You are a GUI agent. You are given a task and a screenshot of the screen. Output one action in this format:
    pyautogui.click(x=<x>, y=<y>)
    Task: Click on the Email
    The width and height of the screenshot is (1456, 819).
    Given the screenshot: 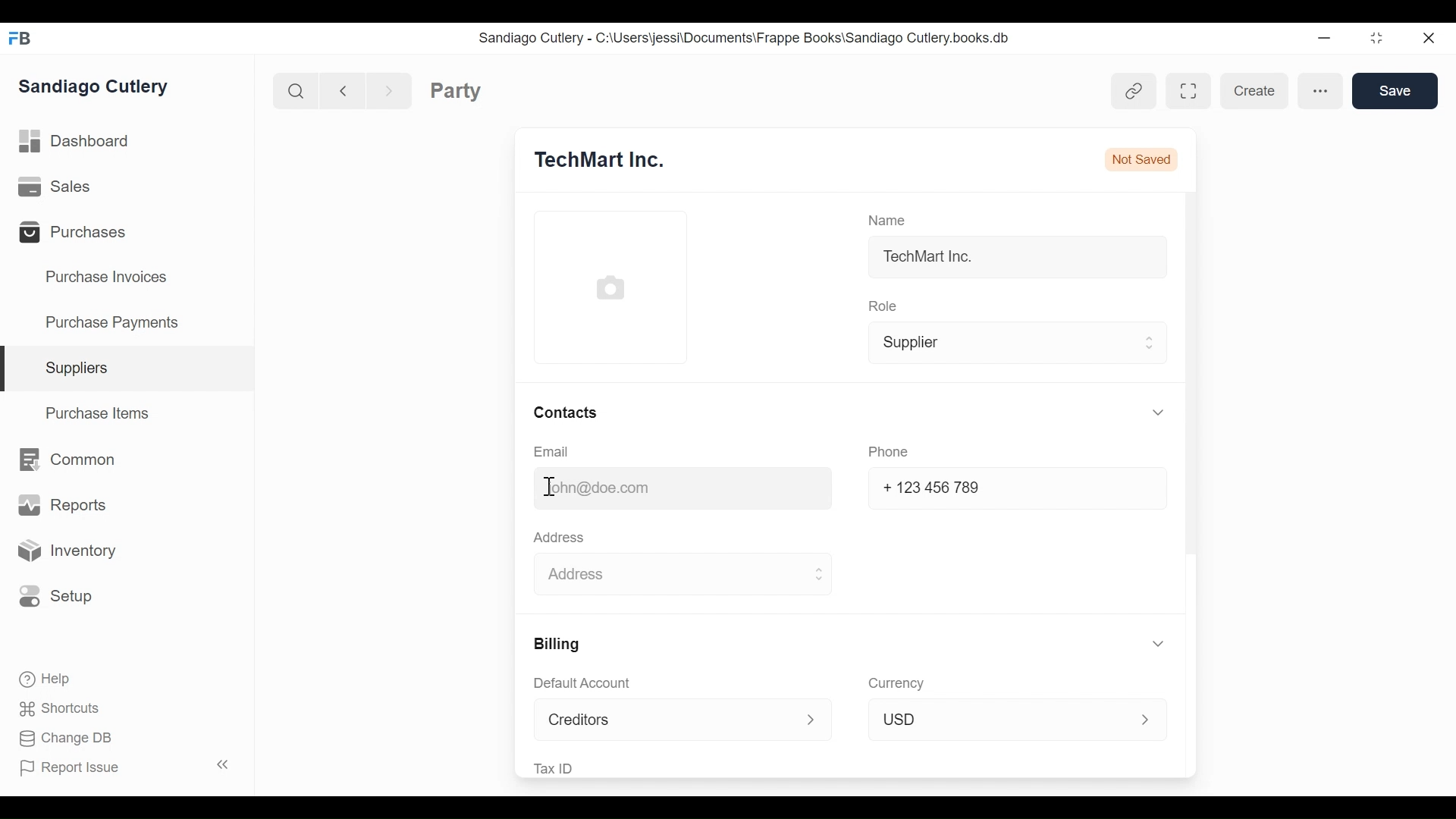 What is the action you would take?
    pyautogui.click(x=552, y=452)
    